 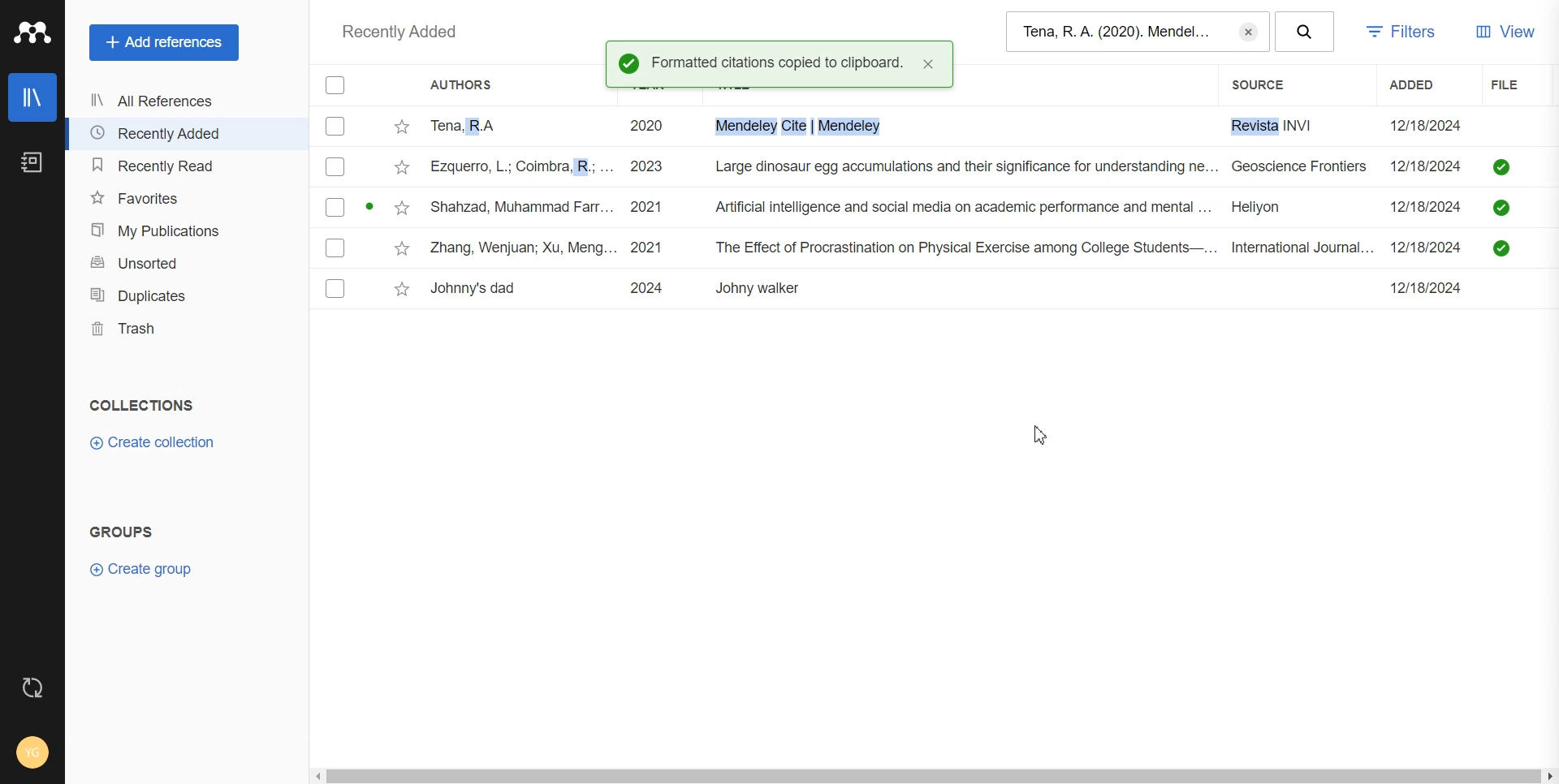 I want to click on COLLECTIONS, so click(x=143, y=405).